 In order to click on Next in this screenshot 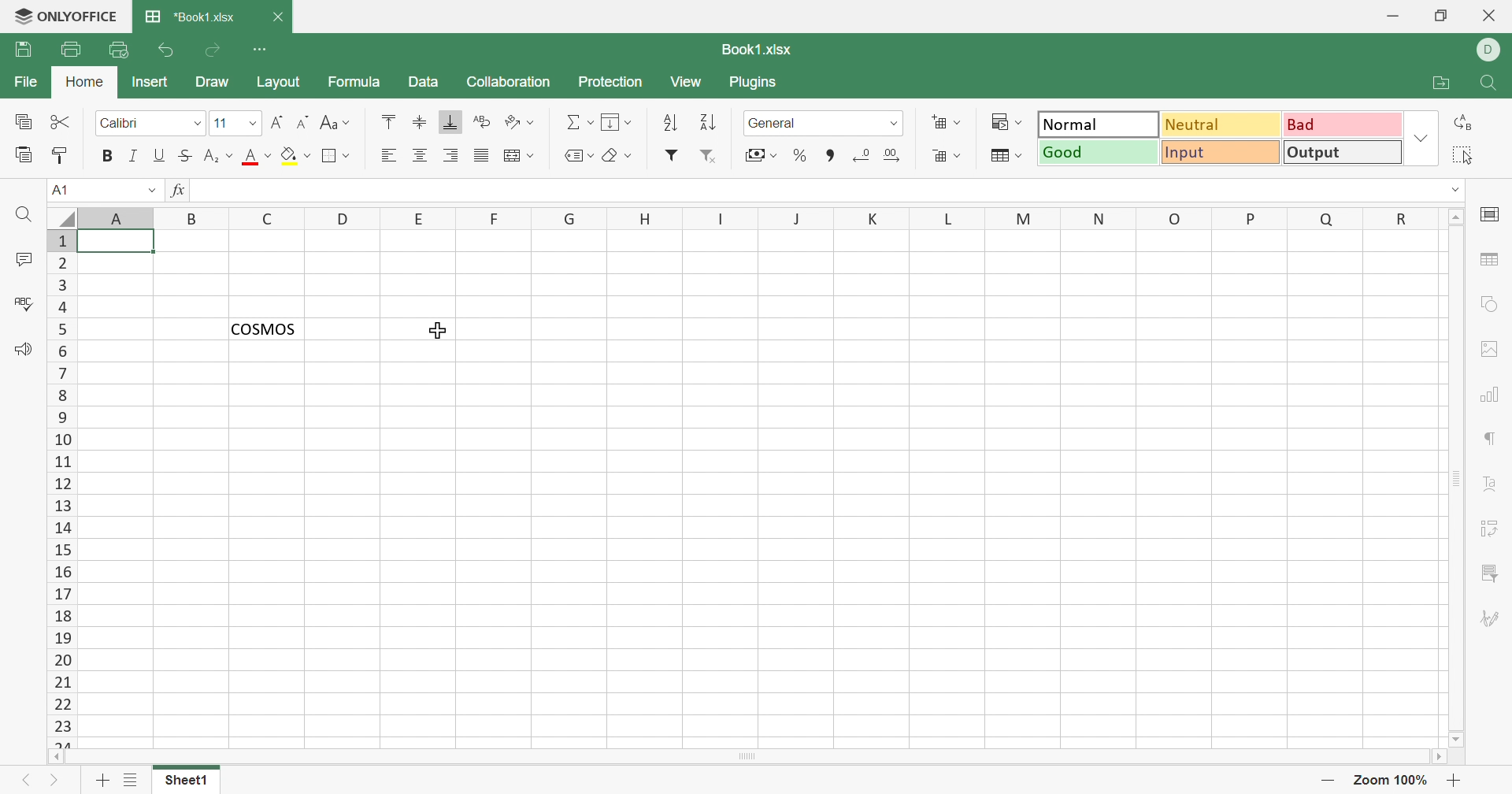, I will do `click(55, 783)`.